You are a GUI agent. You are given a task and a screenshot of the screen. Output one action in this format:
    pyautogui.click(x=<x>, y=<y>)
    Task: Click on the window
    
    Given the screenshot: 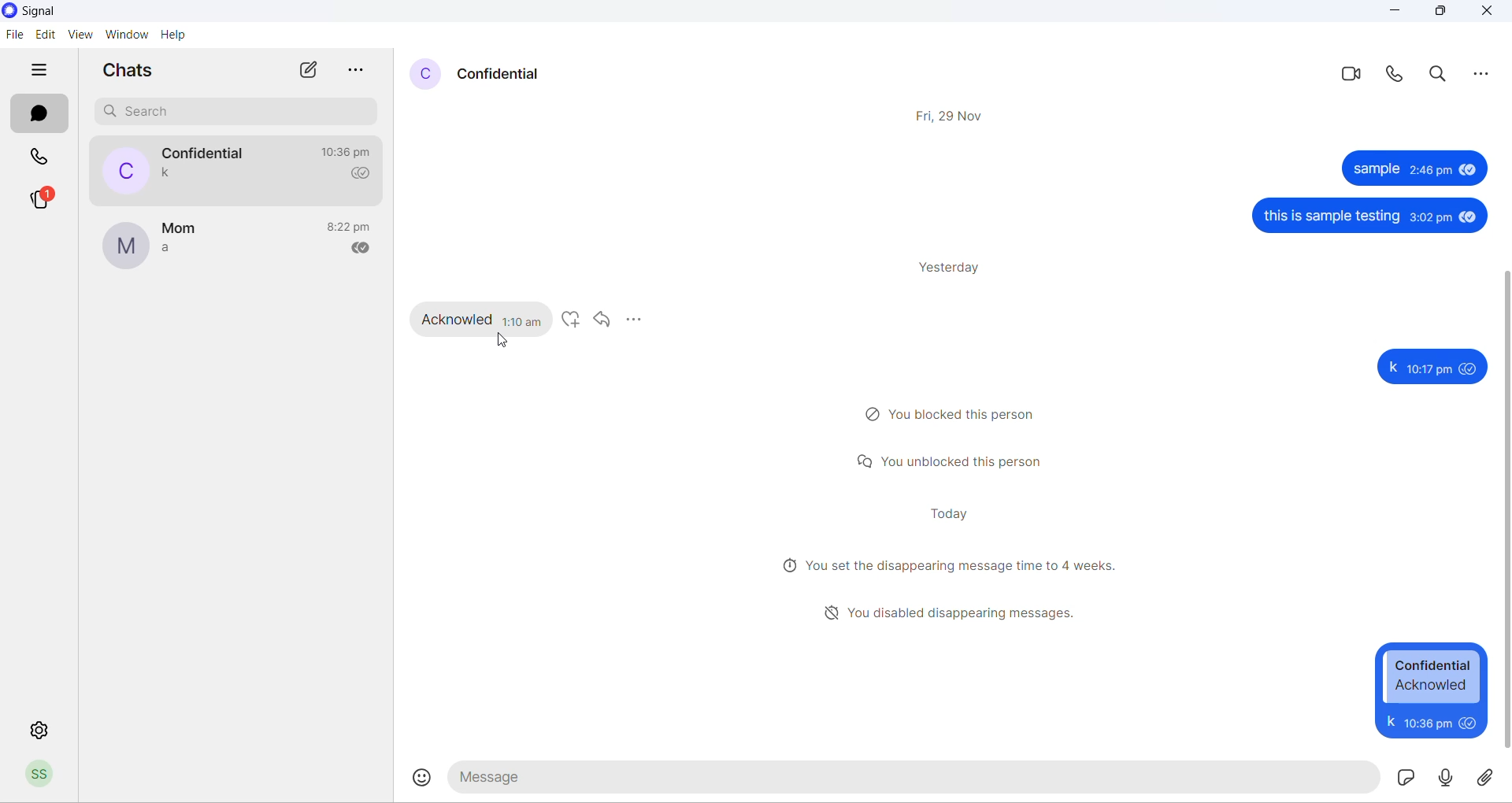 What is the action you would take?
    pyautogui.click(x=126, y=37)
    